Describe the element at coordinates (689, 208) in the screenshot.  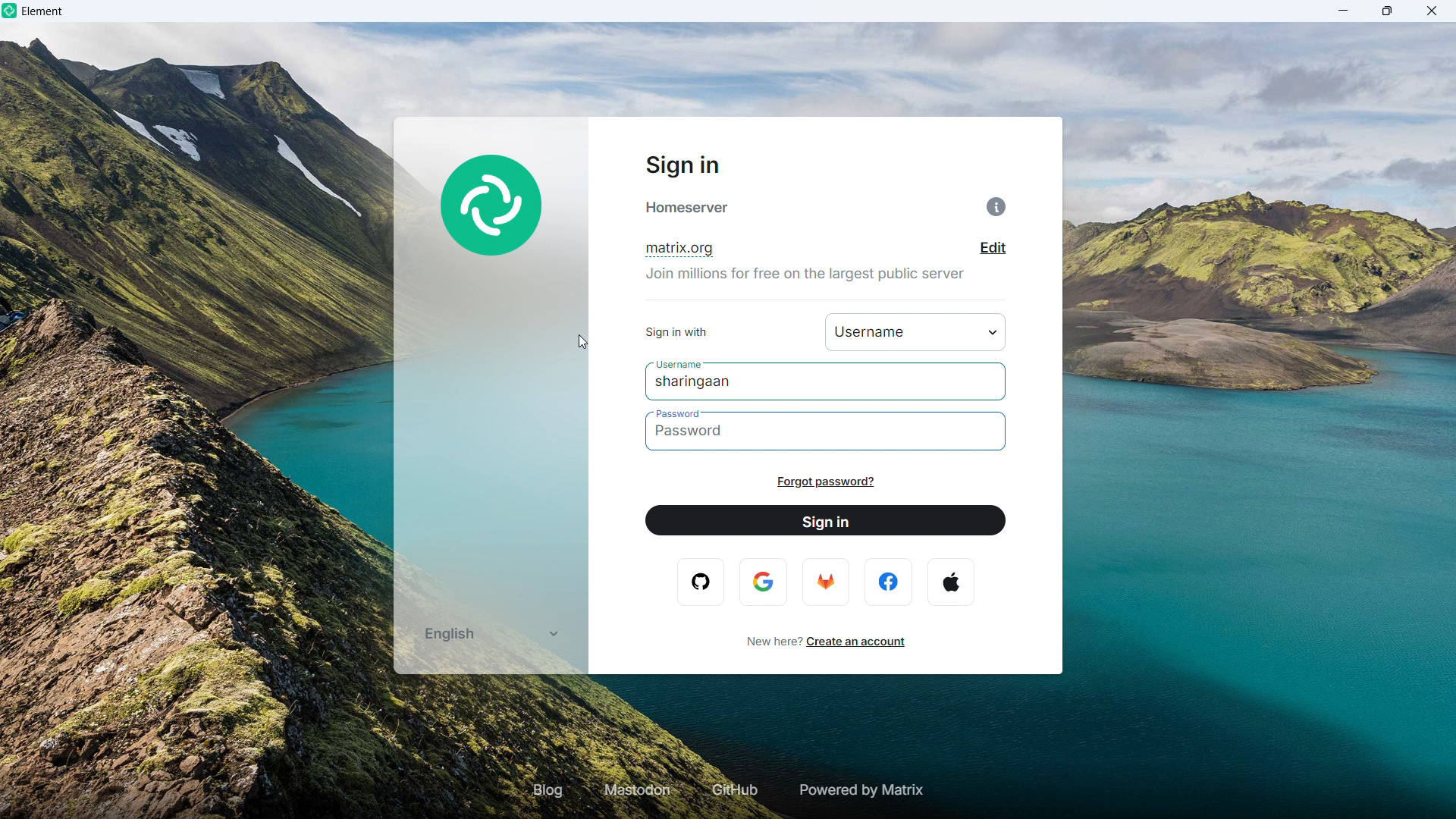
I see `home Server ` at that location.